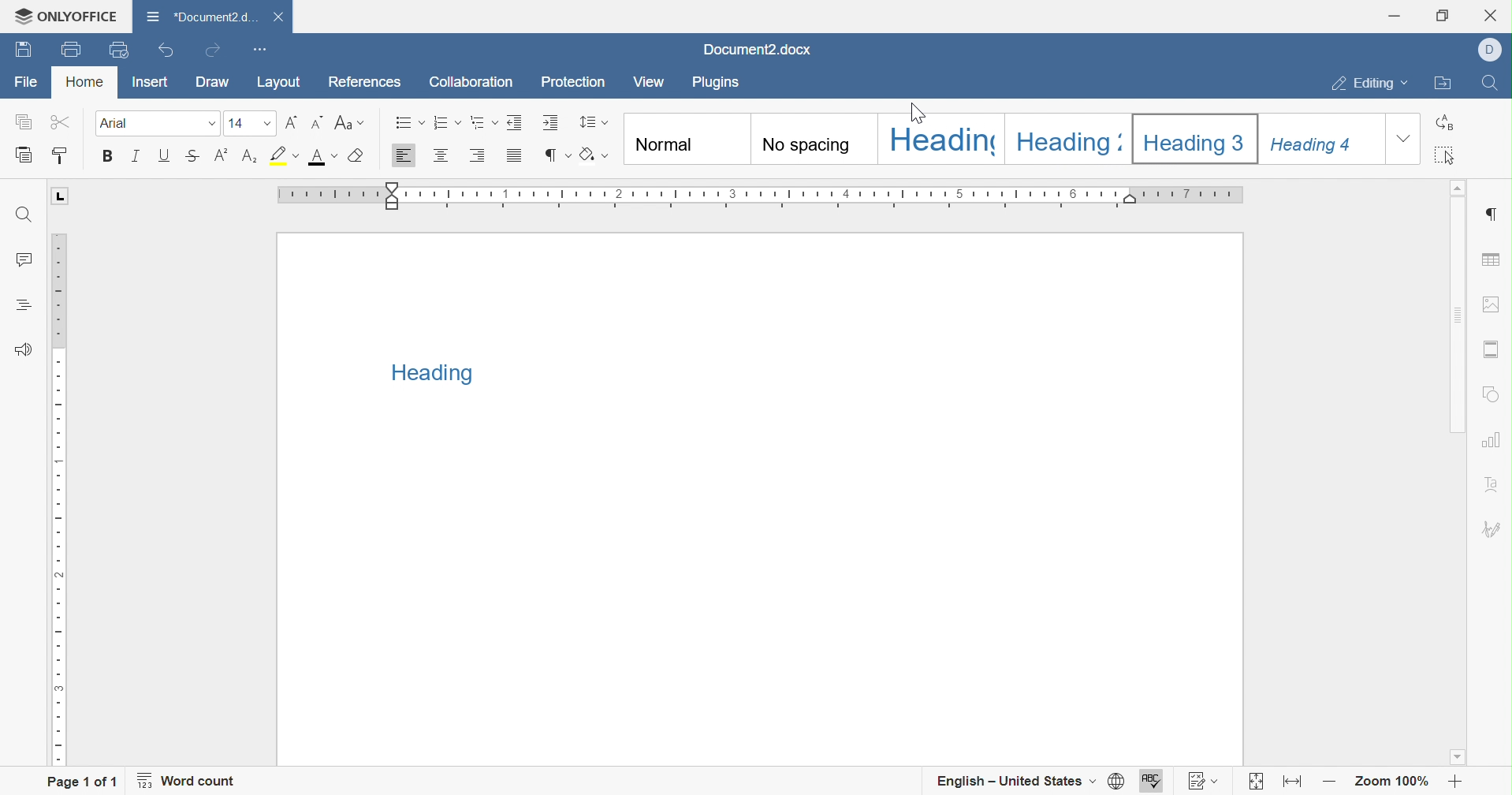  What do you see at coordinates (315, 123) in the screenshot?
I see `Decrement font size` at bounding box center [315, 123].